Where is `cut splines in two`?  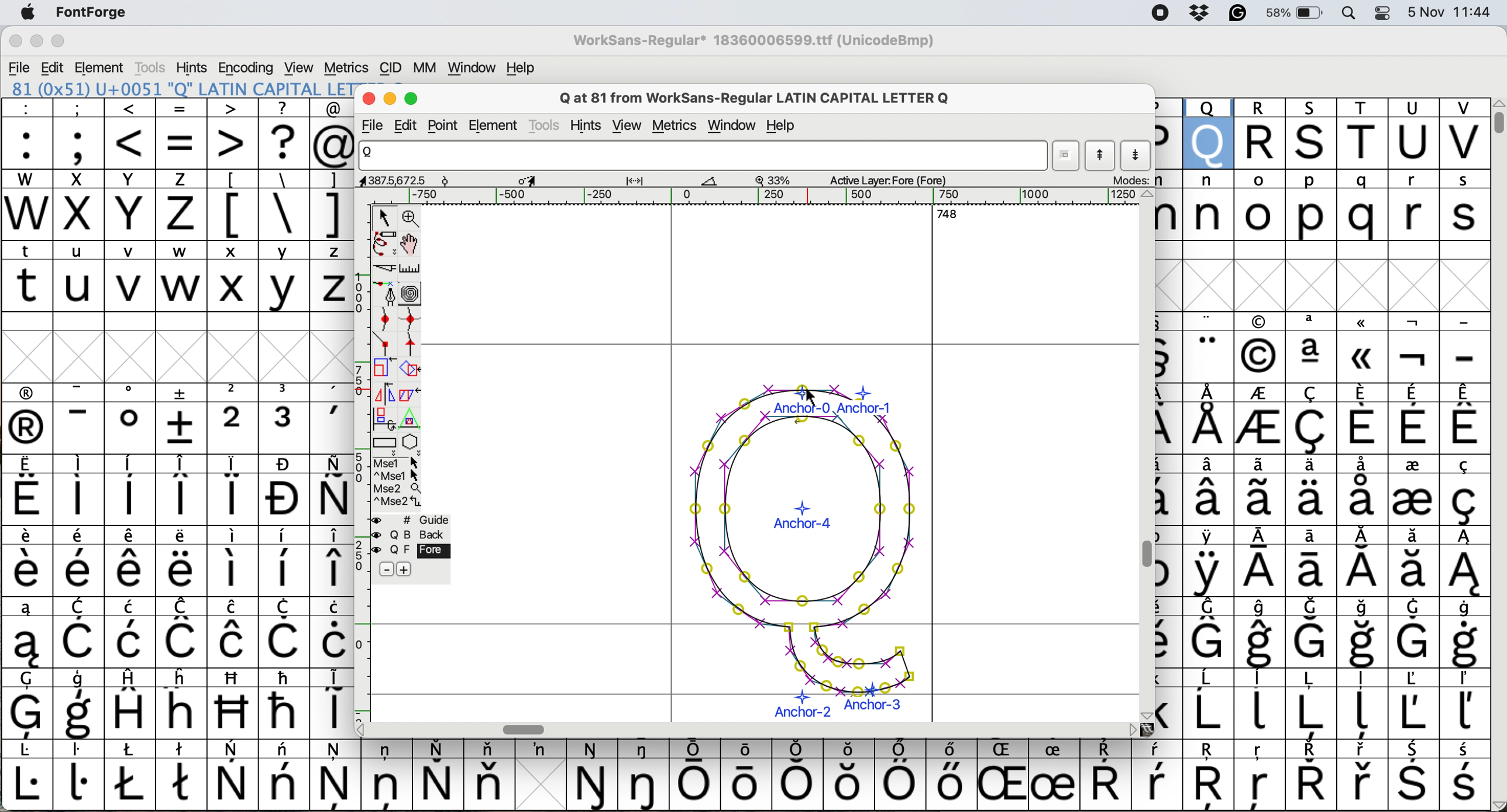 cut splines in two is located at coordinates (387, 270).